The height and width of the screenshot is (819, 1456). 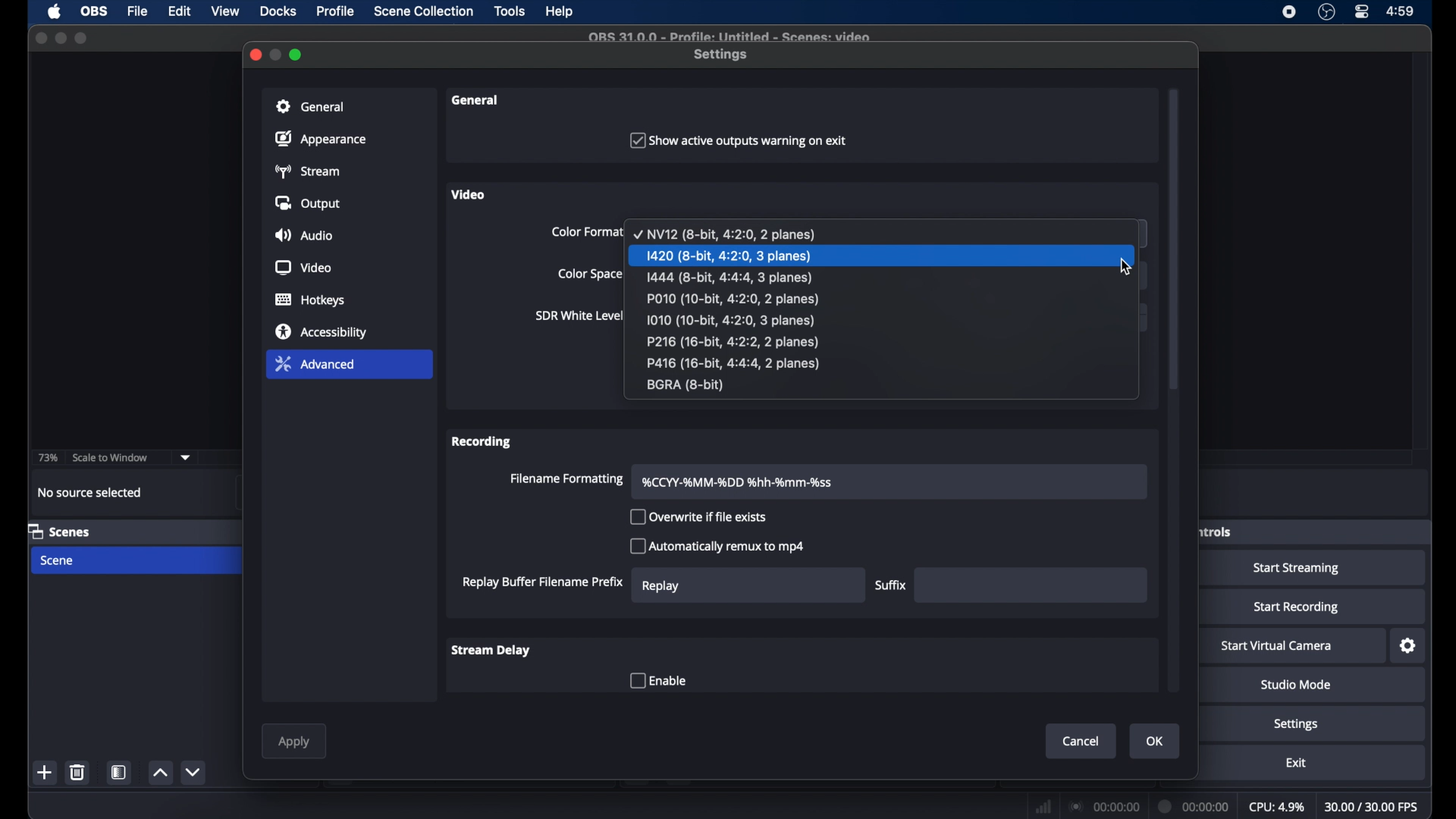 I want to click on help, so click(x=560, y=11).